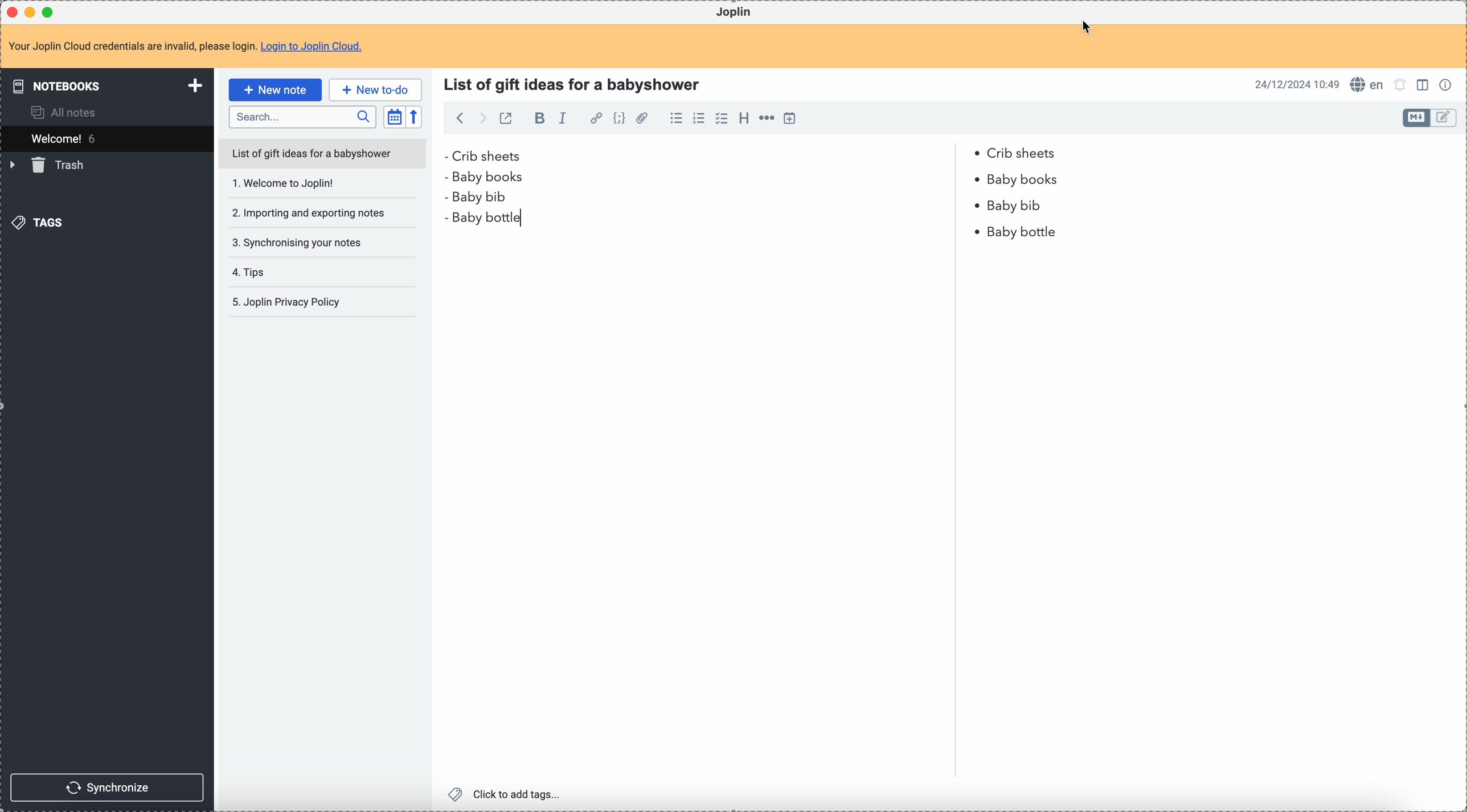 This screenshot has height=812, width=1467. Describe the element at coordinates (310, 186) in the screenshot. I see `Welcome to joplin` at that location.